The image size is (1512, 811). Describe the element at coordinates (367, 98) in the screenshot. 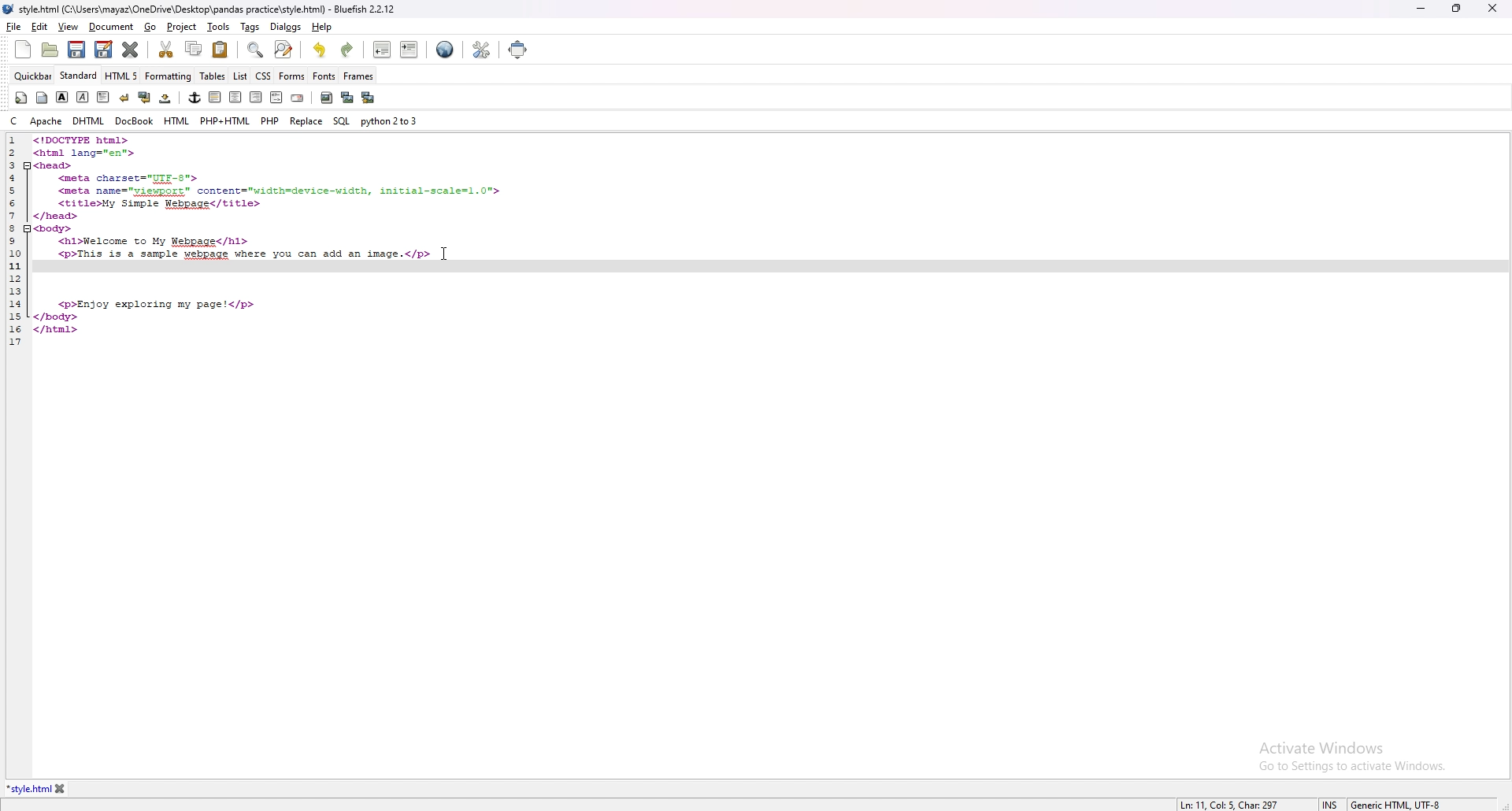

I see `multi thumbnail` at that location.